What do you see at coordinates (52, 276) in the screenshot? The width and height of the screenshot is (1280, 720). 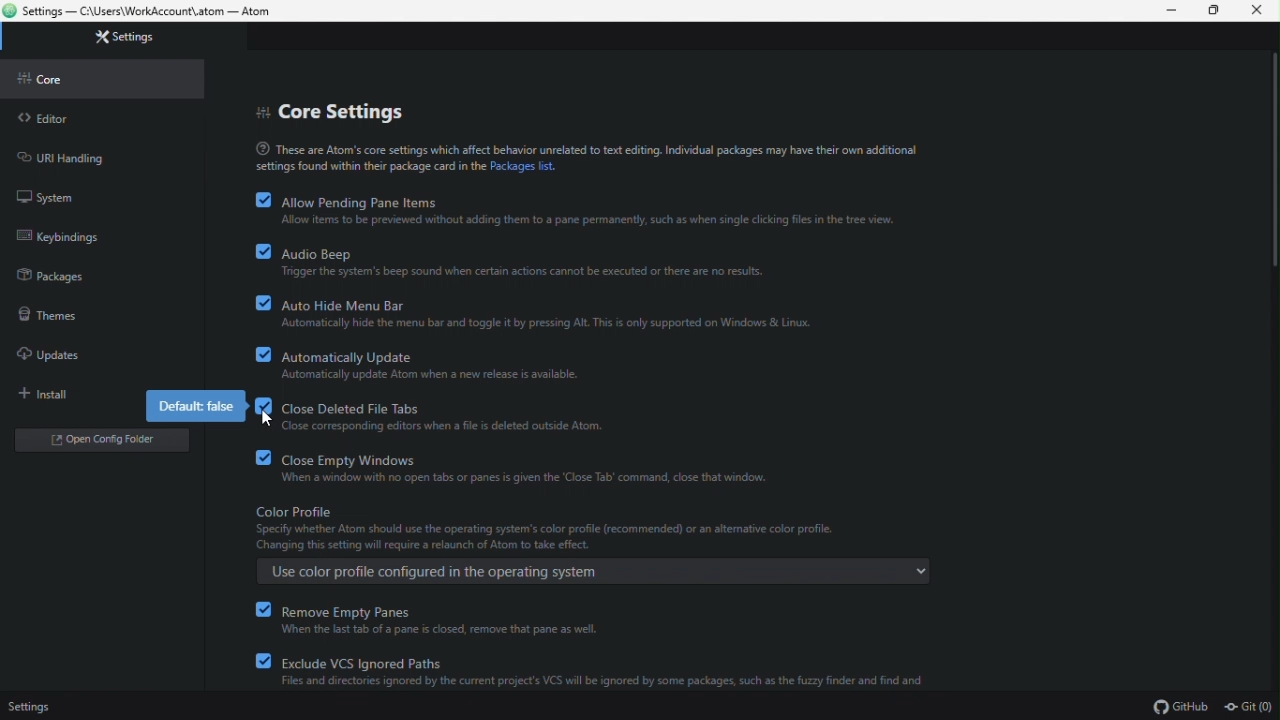 I see `packages` at bounding box center [52, 276].